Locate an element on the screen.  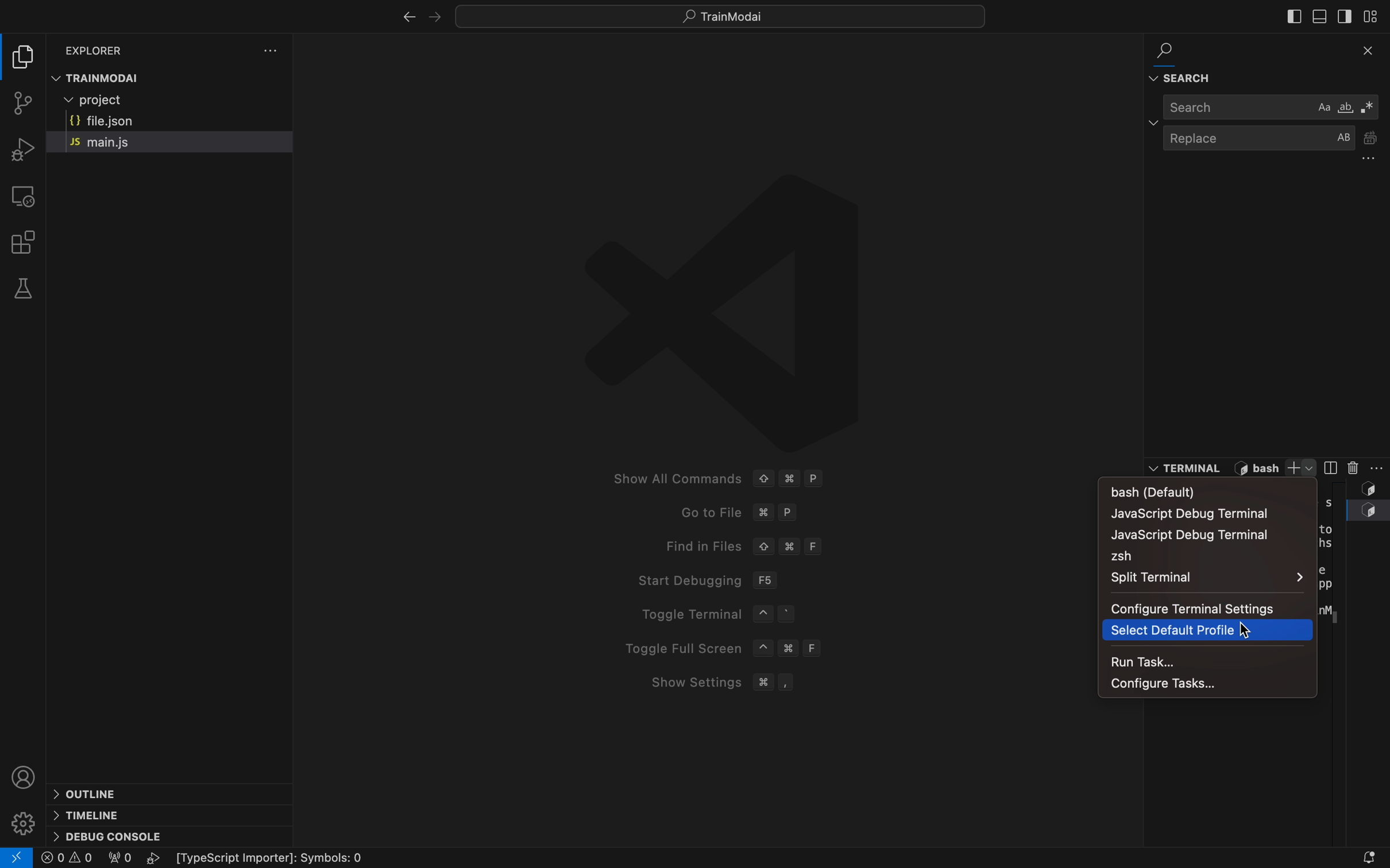
Show All Commands © # P
Goto File ¥# P
Find in Files © 3% F
Start Debugging F56
Toggle Terminal ~ °
Toggle Full Screen ~ # F
Show Settings # , is located at coordinates (762, 478).